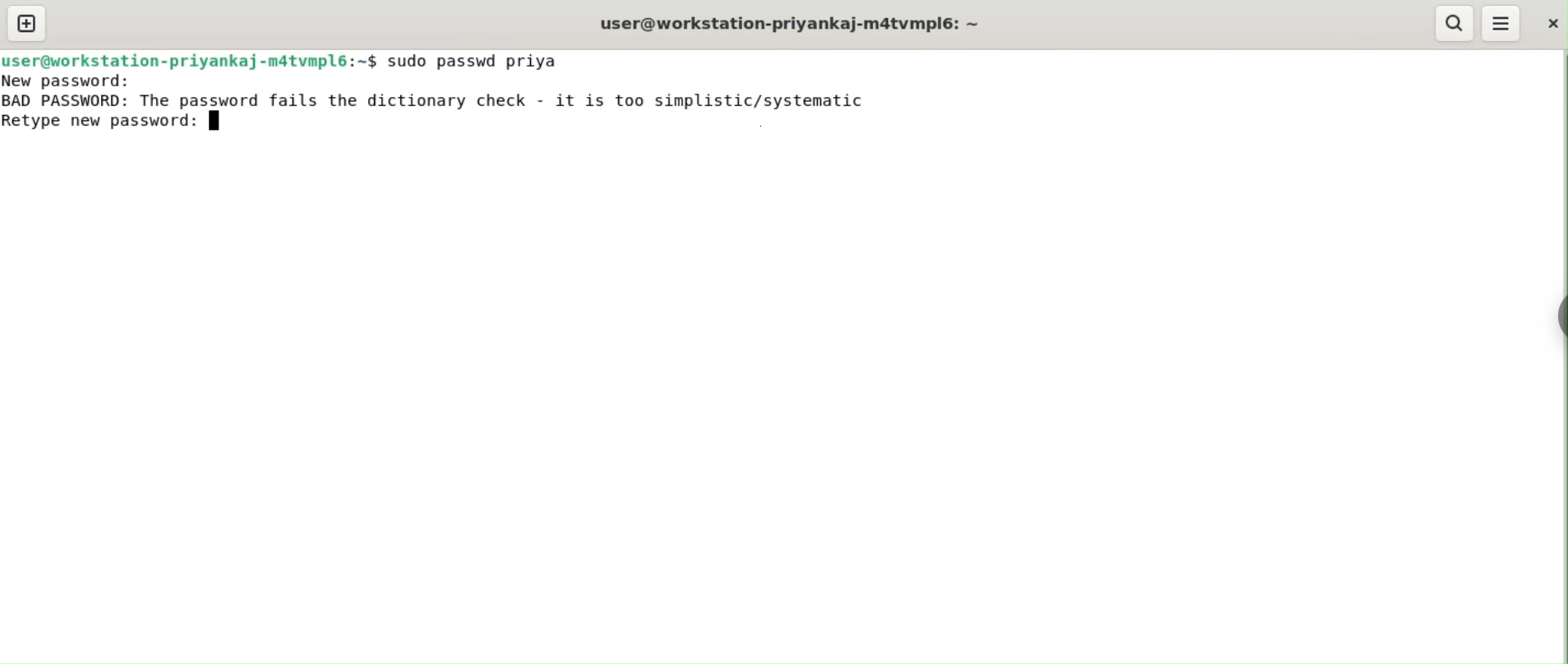 The width and height of the screenshot is (1568, 664). What do you see at coordinates (1502, 23) in the screenshot?
I see `menu` at bounding box center [1502, 23].